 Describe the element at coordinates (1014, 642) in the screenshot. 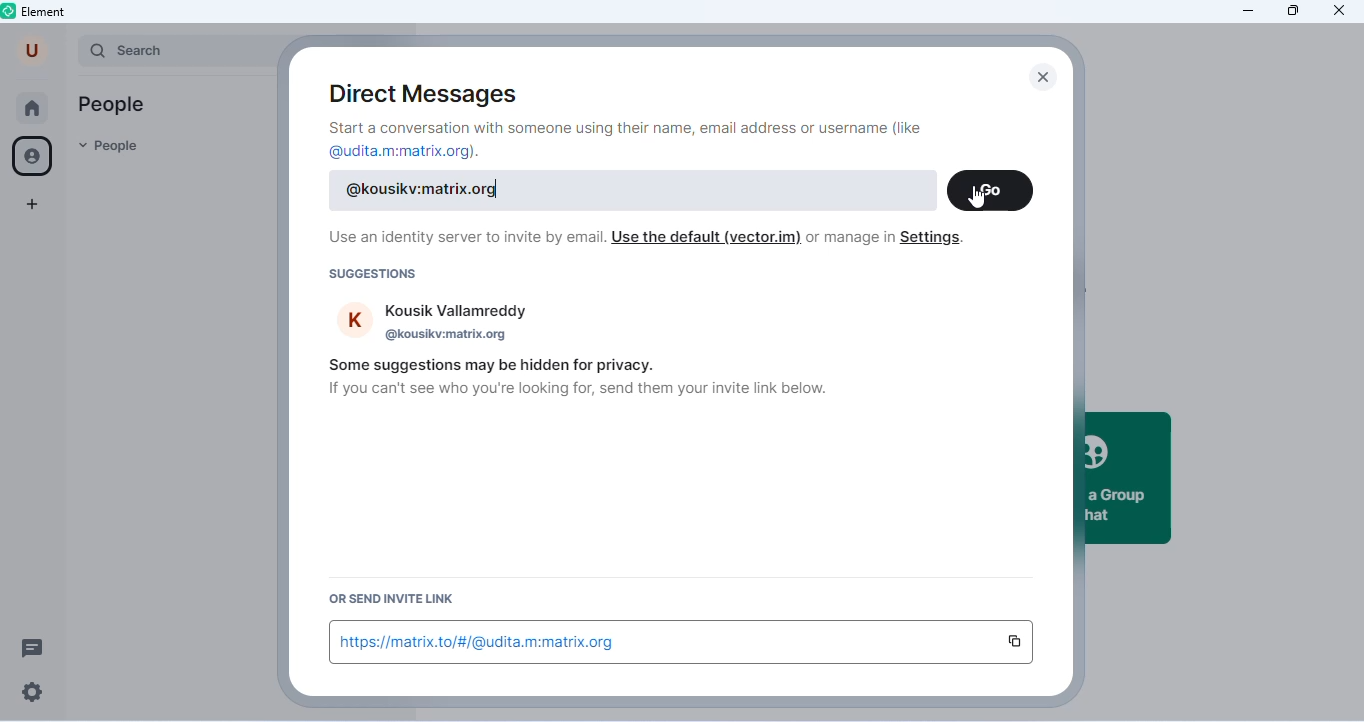

I see `copy` at that location.